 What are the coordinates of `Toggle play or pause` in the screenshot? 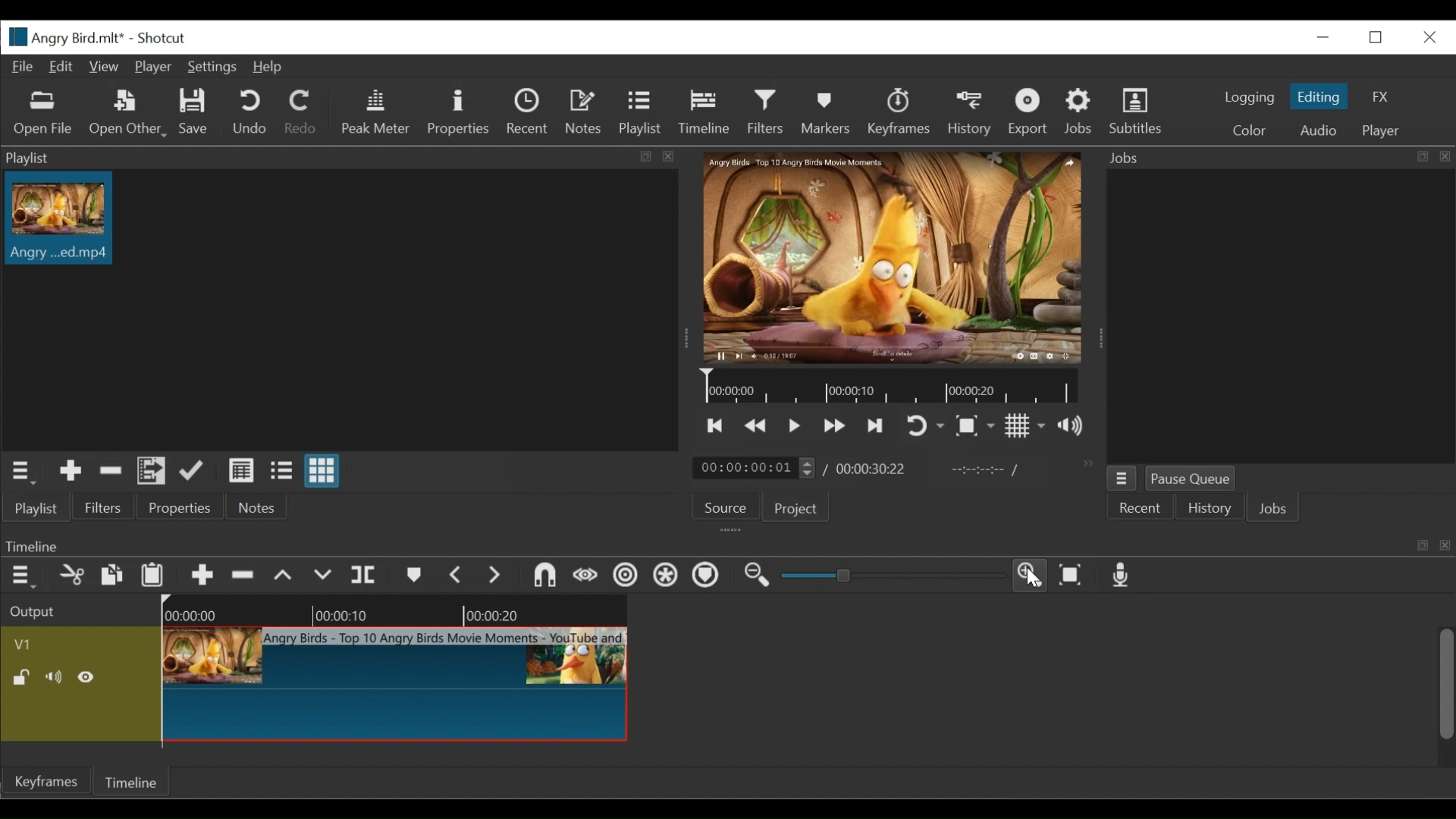 It's located at (793, 425).